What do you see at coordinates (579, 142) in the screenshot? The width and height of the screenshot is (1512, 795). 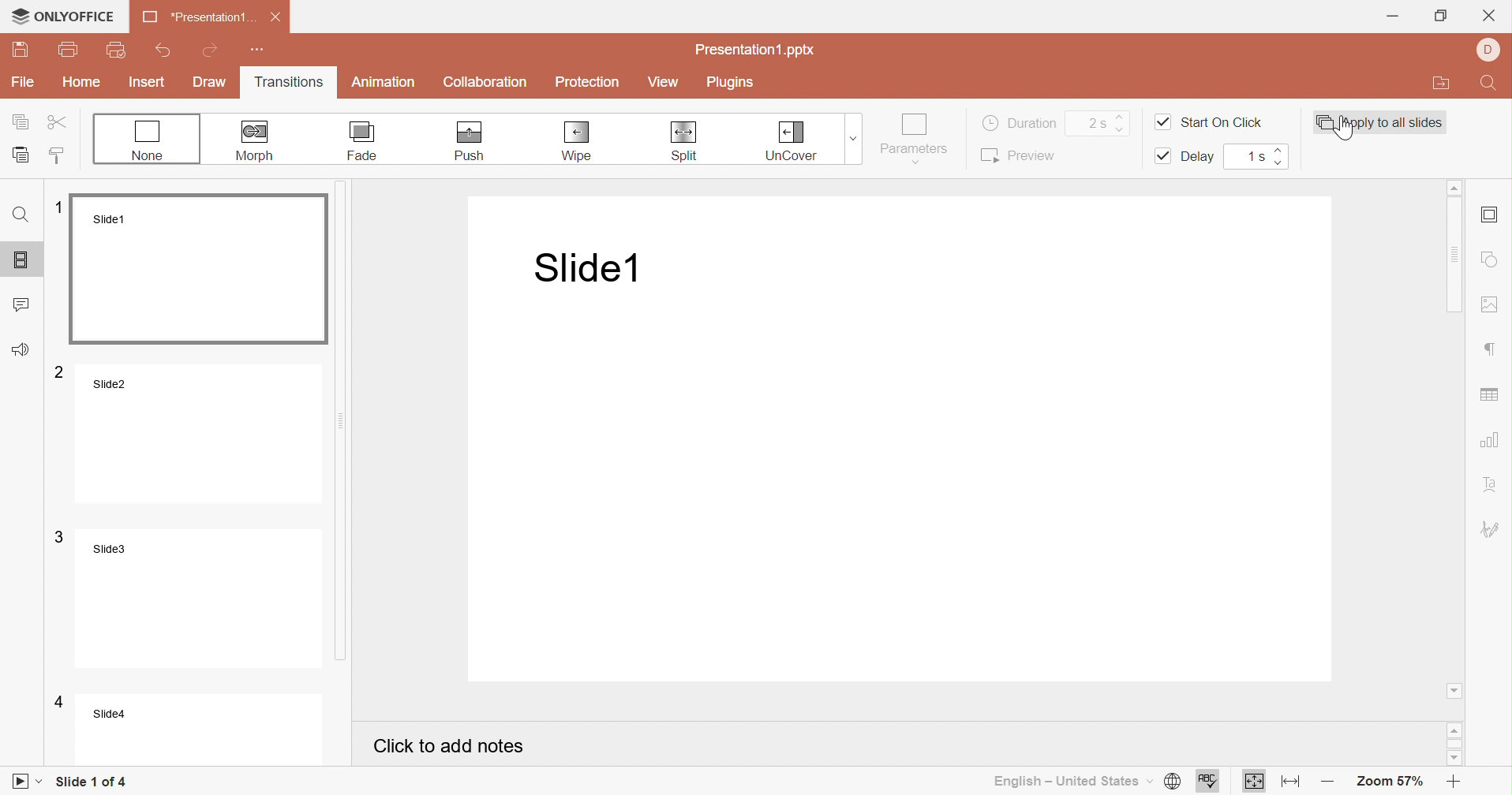 I see `Wipe` at bounding box center [579, 142].